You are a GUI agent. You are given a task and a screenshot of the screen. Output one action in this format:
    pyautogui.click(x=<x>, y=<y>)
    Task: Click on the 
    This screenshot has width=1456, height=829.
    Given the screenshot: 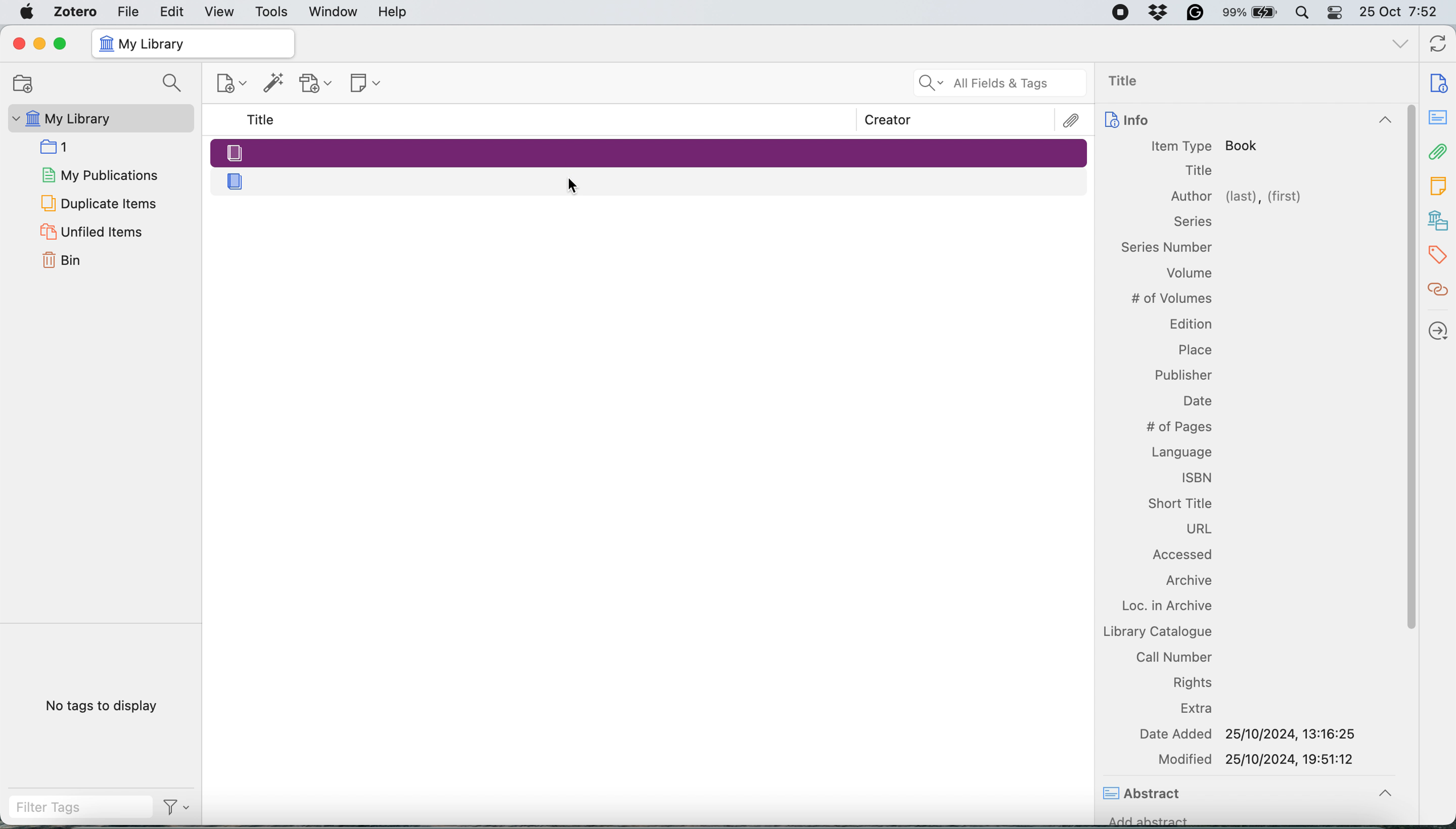 What is the action you would take?
    pyautogui.click(x=1167, y=246)
    